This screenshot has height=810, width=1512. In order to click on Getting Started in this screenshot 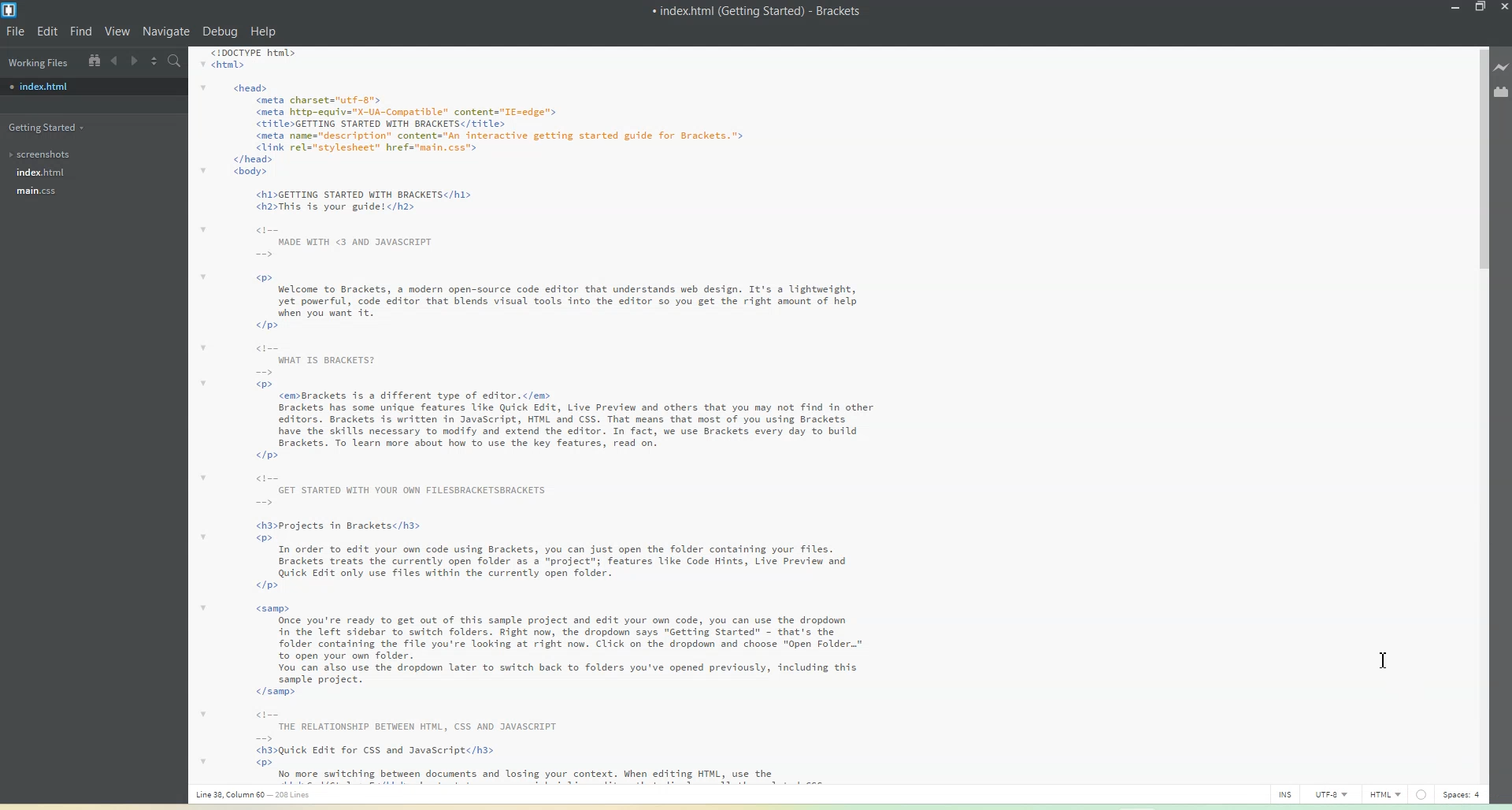, I will do `click(48, 128)`.